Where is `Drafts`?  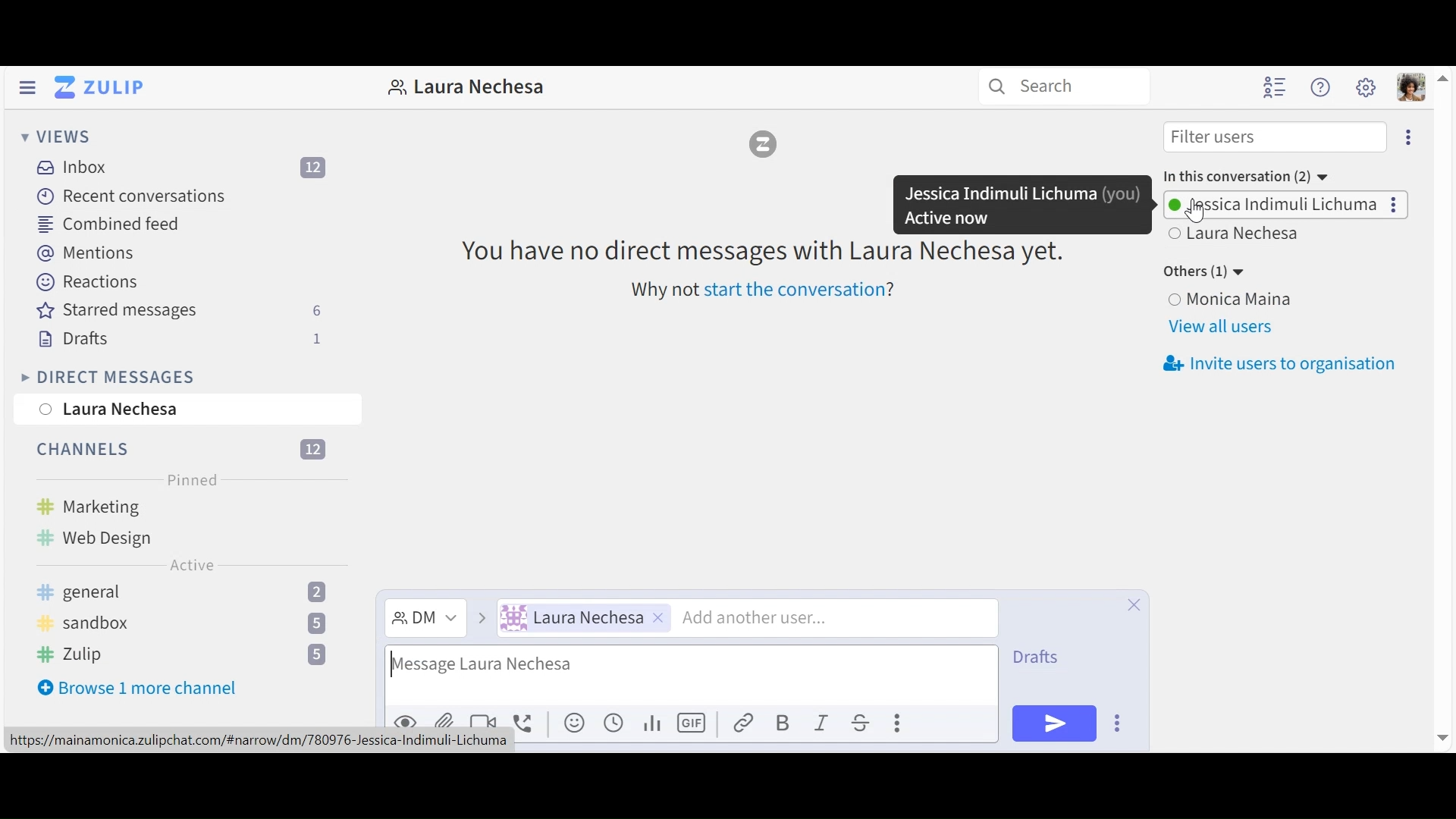 Drafts is located at coordinates (179, 339).